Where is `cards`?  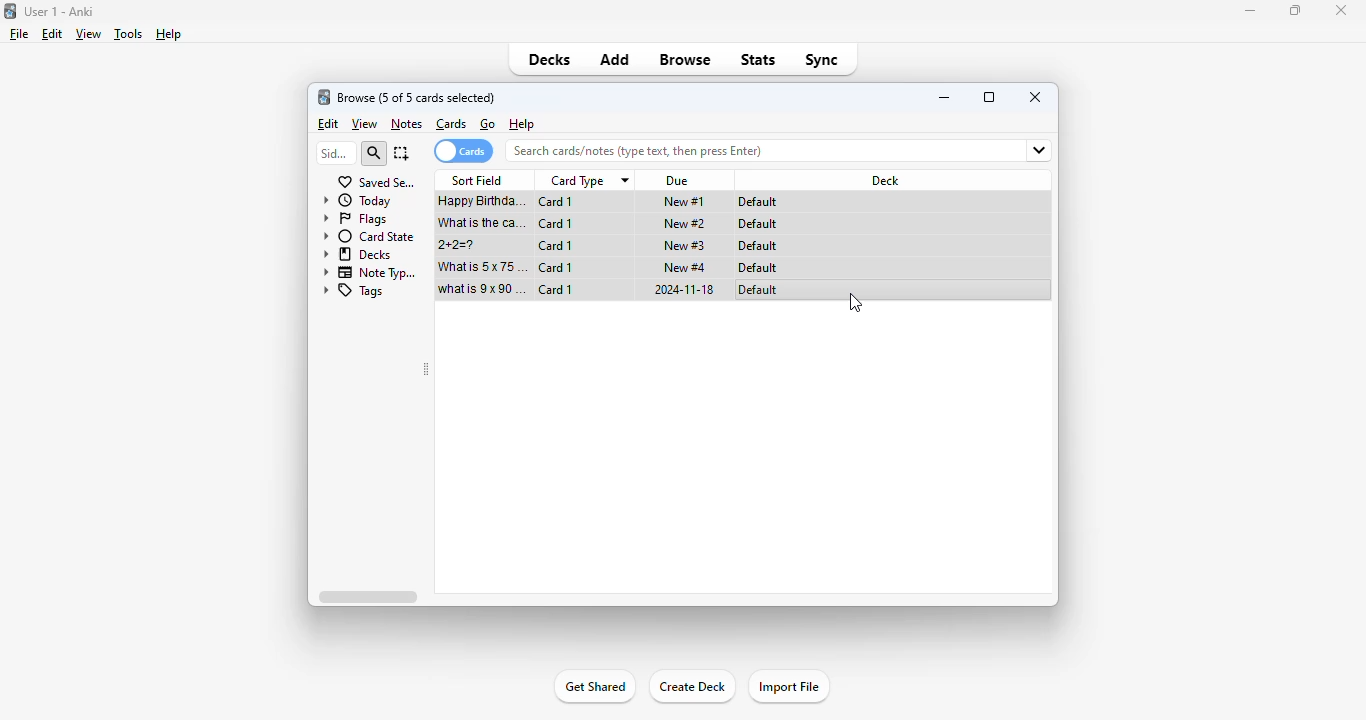
cards is located at coordinates (463, 151).